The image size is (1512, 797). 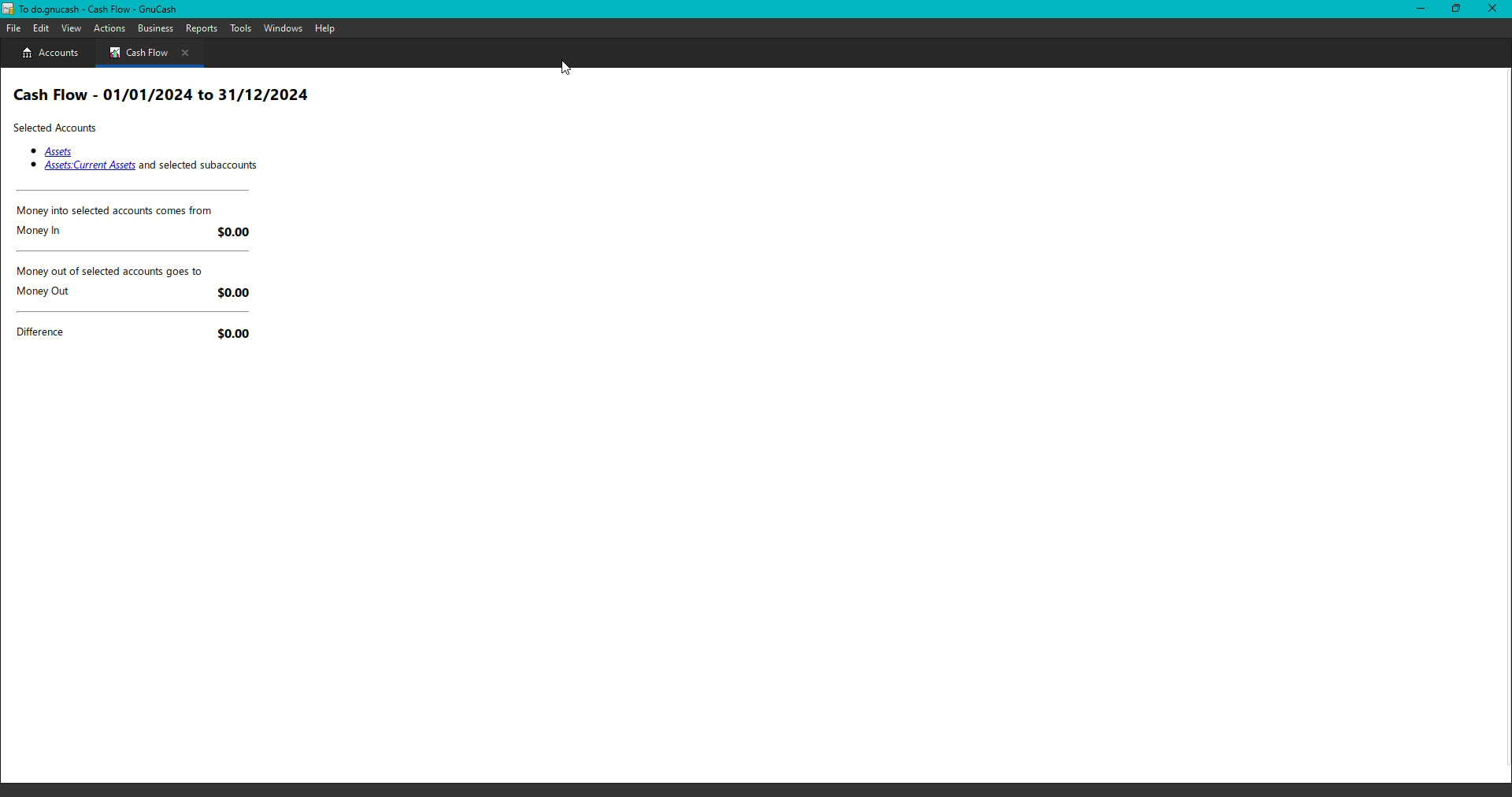 I want to click on Cash Flow Report Heading, so click(x=162, y=95).